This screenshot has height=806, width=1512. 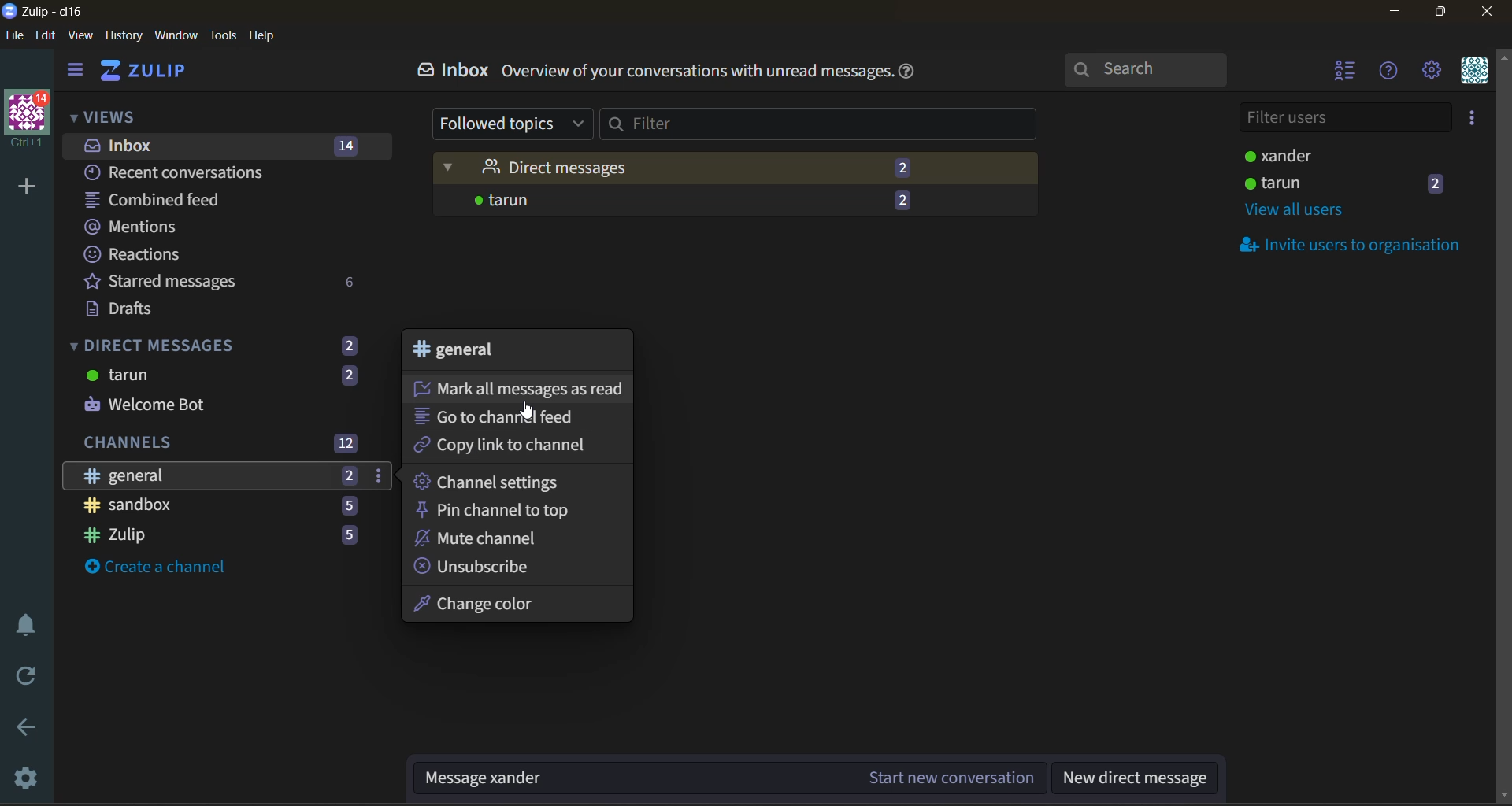 What do you see at coordinates (139, 254) in the screenshot?
I see `reactions` at bounding box center [139, 254].